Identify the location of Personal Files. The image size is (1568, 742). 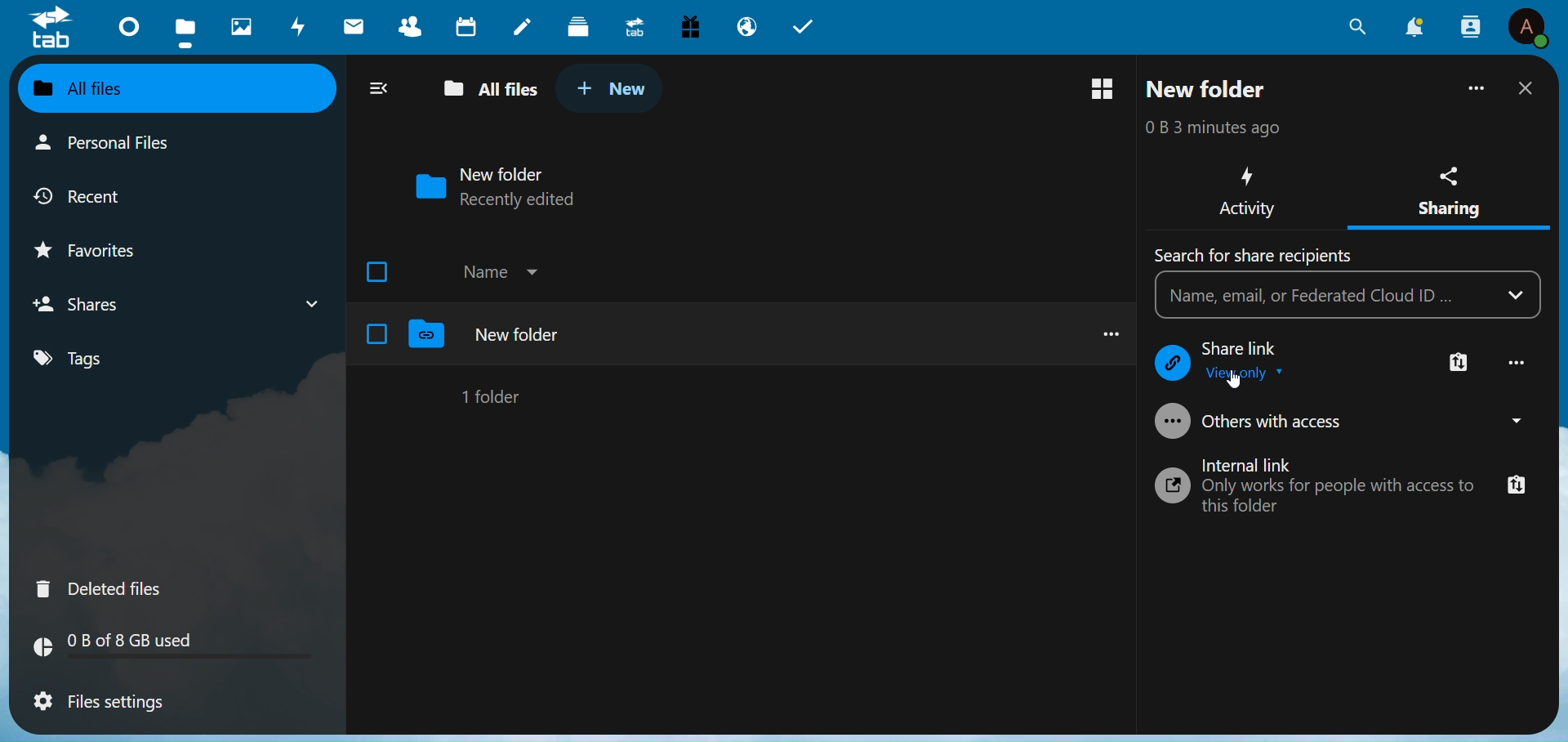
(109, 144).